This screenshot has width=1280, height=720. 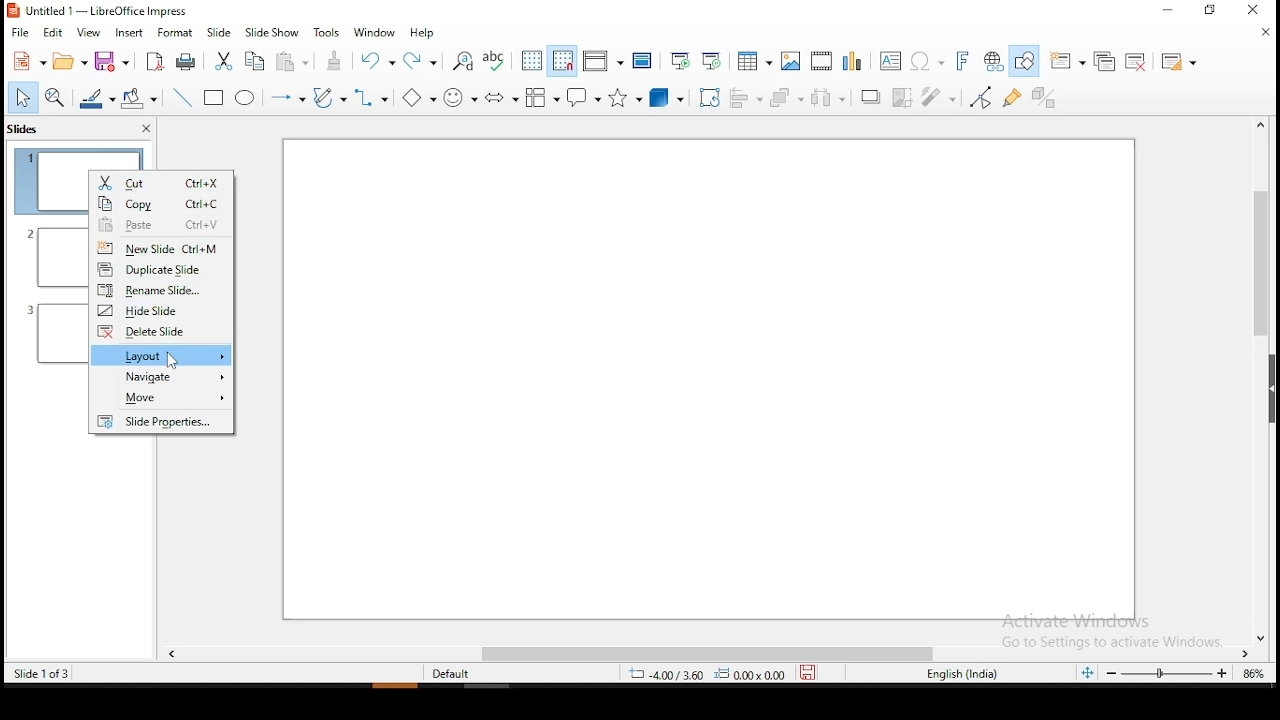 What do you see at coordinates (426, 65) in the screenshot?
I see `redo` at bounding box center [426, 65].